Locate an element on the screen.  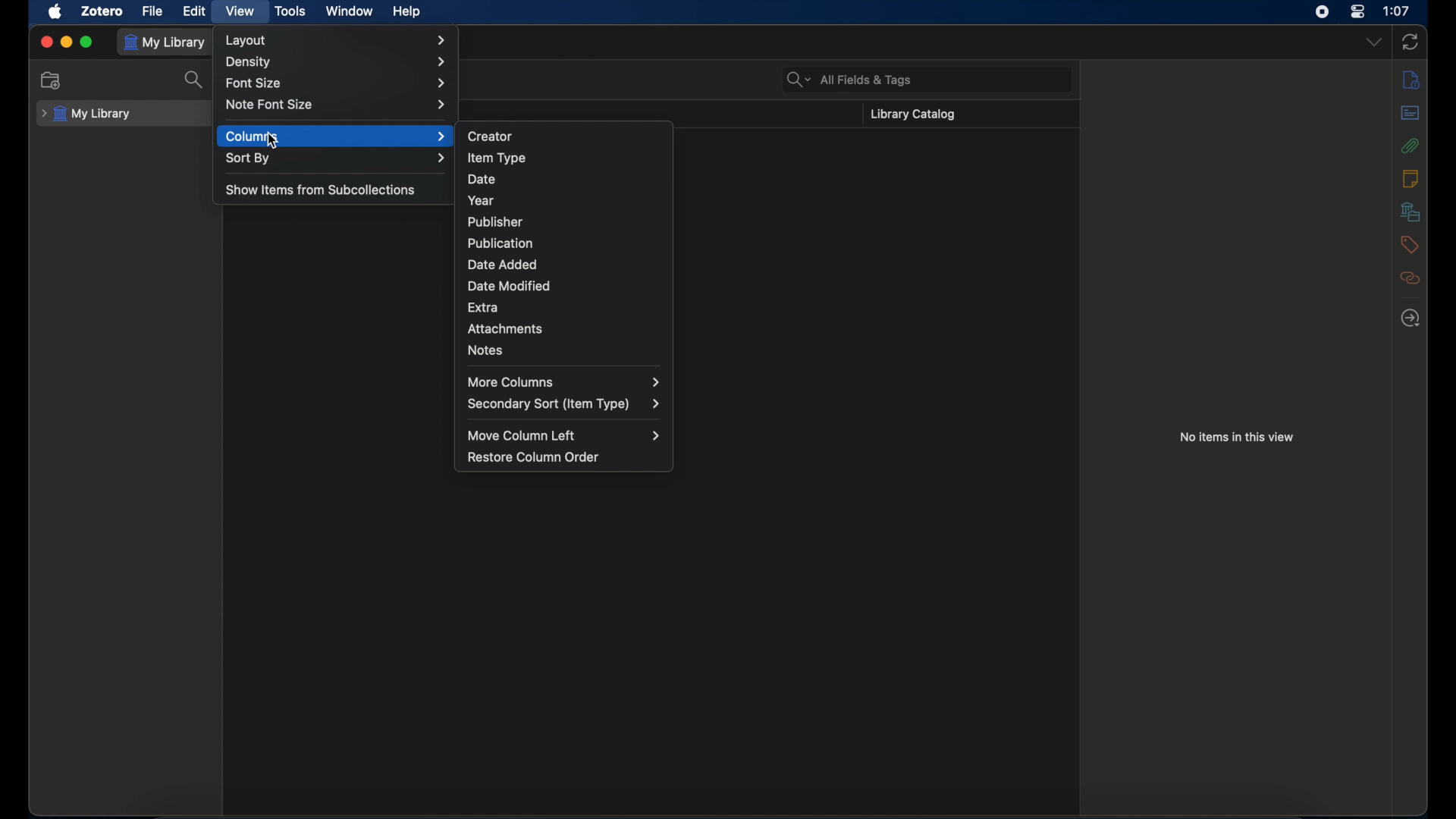
sort by is located at coordinates (336, 158).